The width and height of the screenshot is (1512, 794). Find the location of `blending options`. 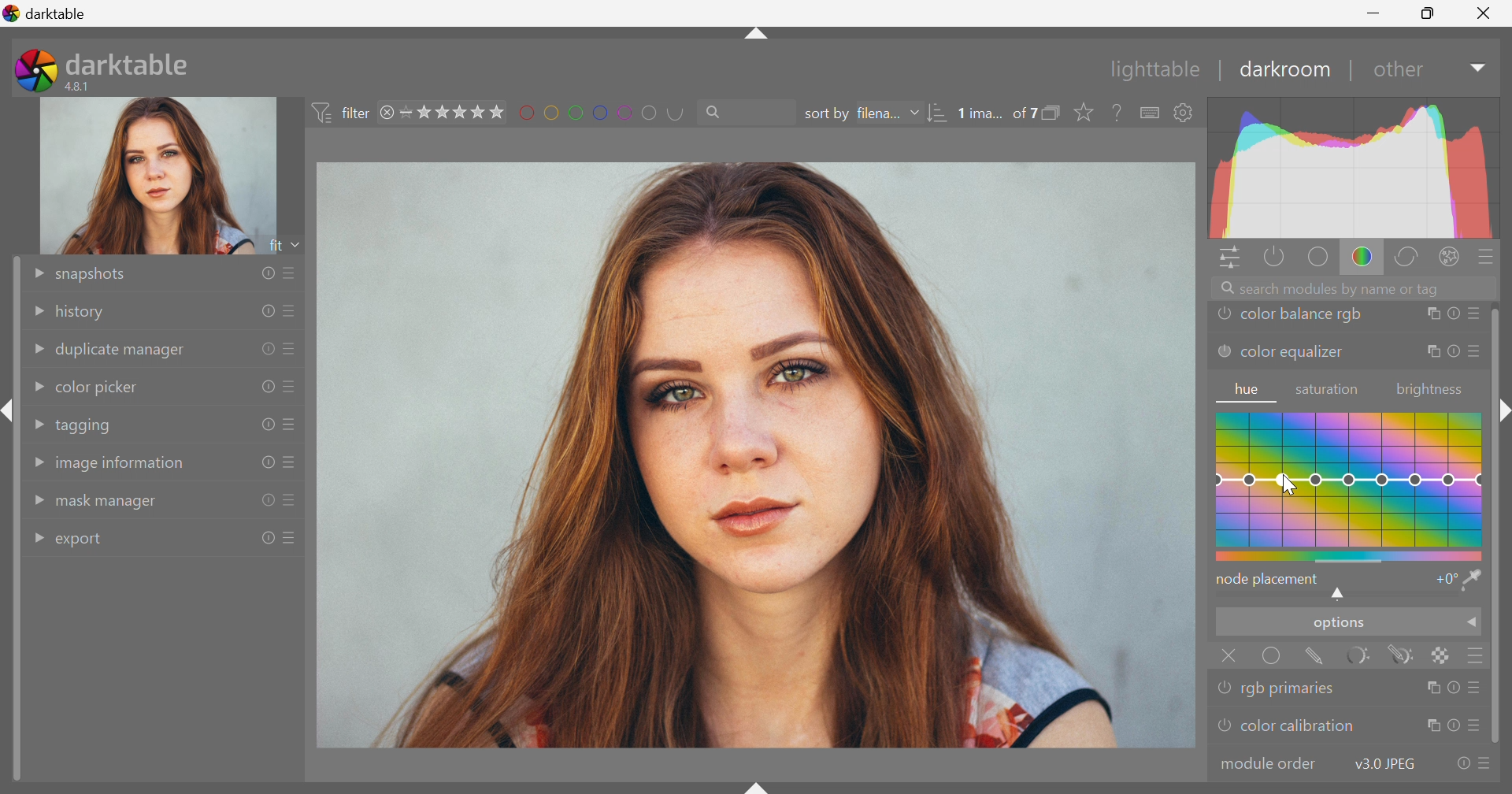

blending options is located at coordinates (1480, 655).